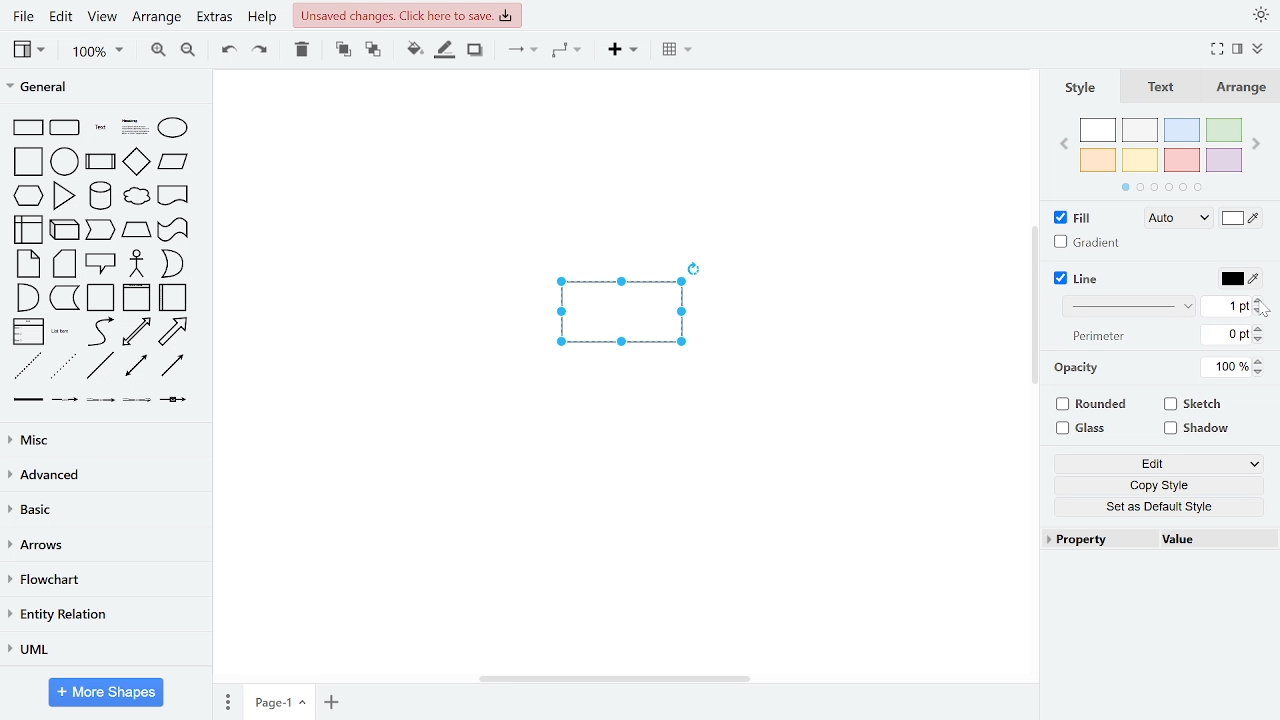 The height and width of the screenshot is (720, 1280). I want to click on general shapes, so click(136, 161).